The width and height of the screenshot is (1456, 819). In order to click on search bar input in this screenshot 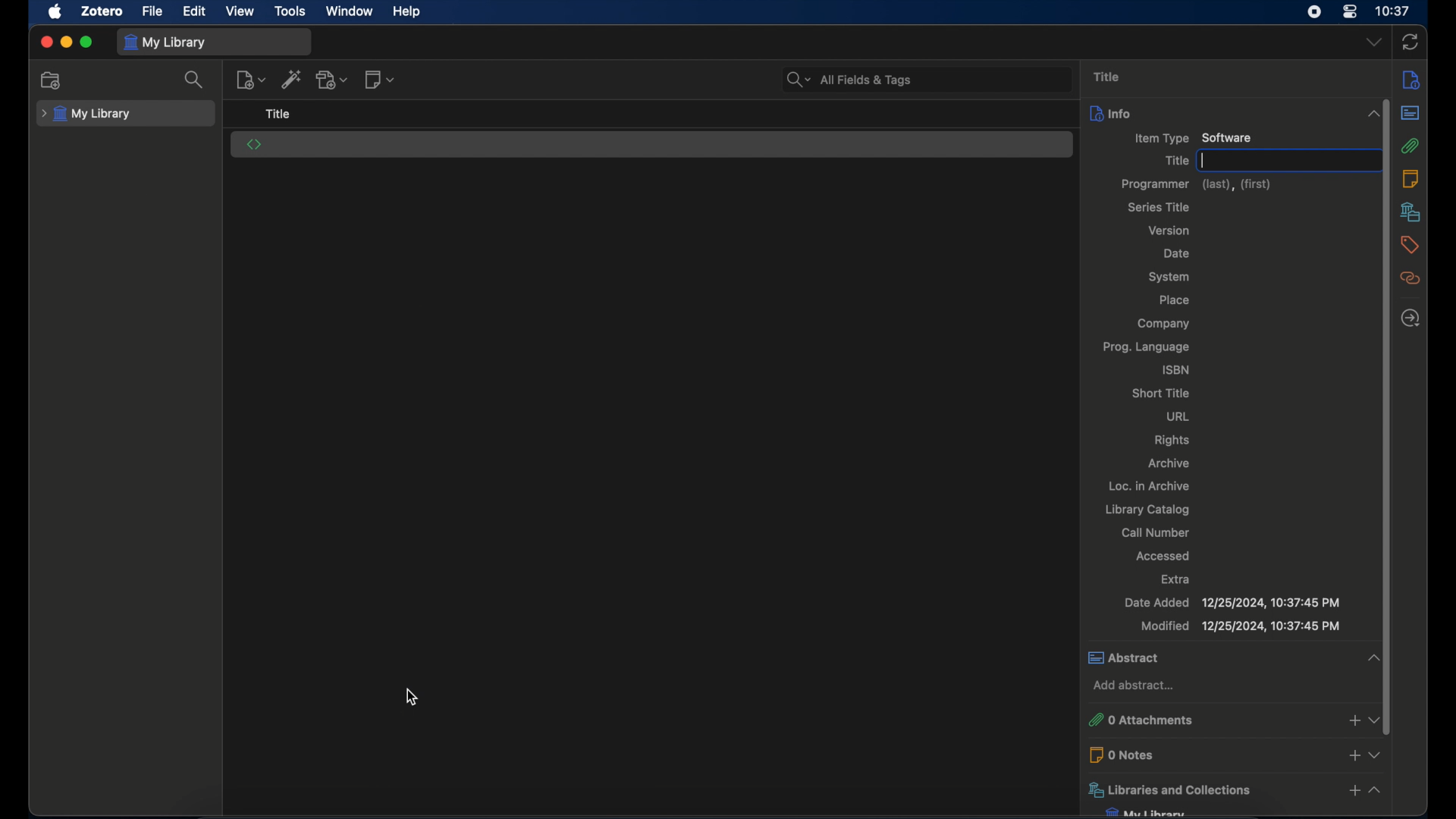, I will do `click(946, 79)`.